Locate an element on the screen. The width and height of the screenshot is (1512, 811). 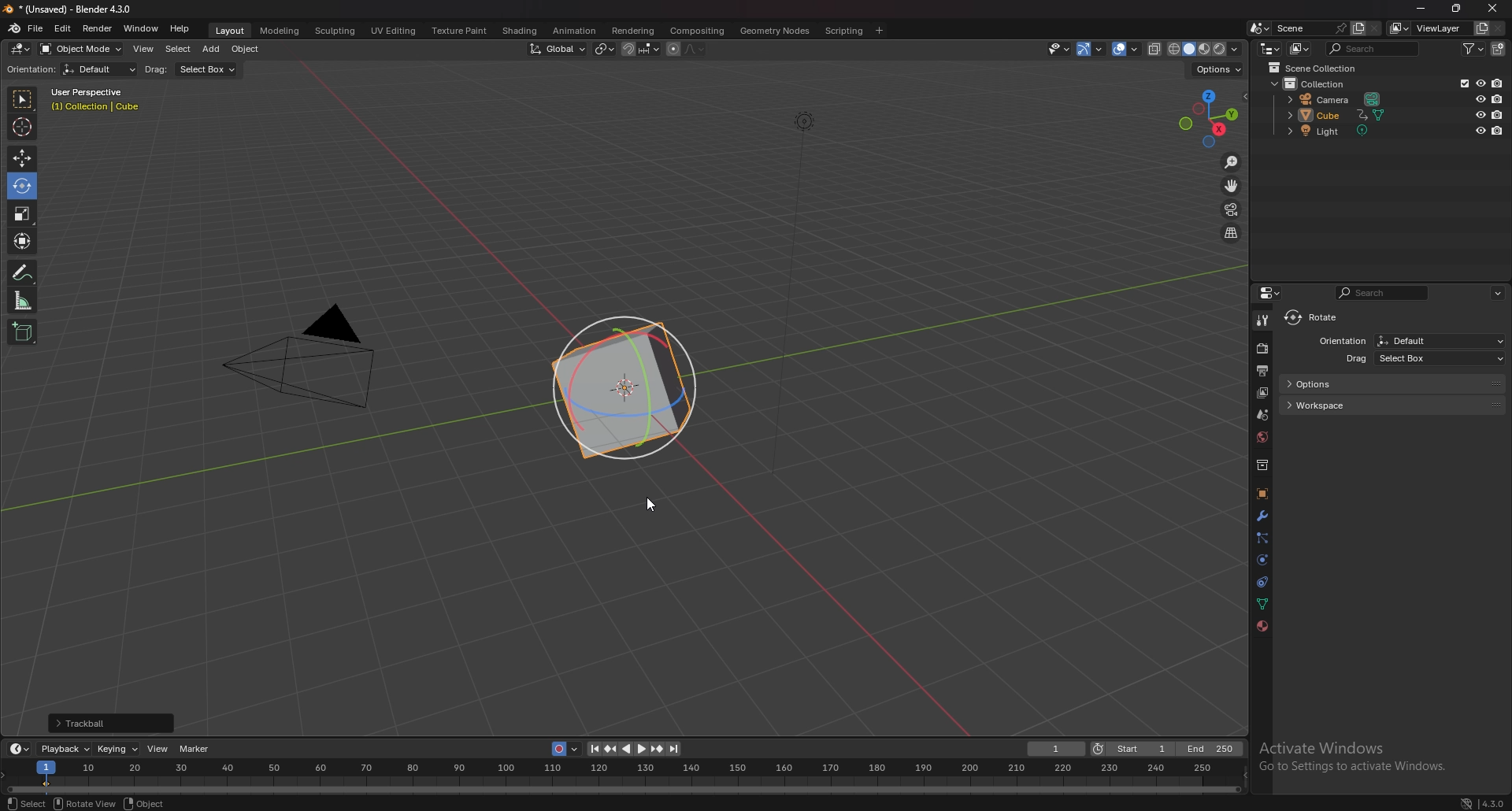
Default is located at coordinates (101, 71).